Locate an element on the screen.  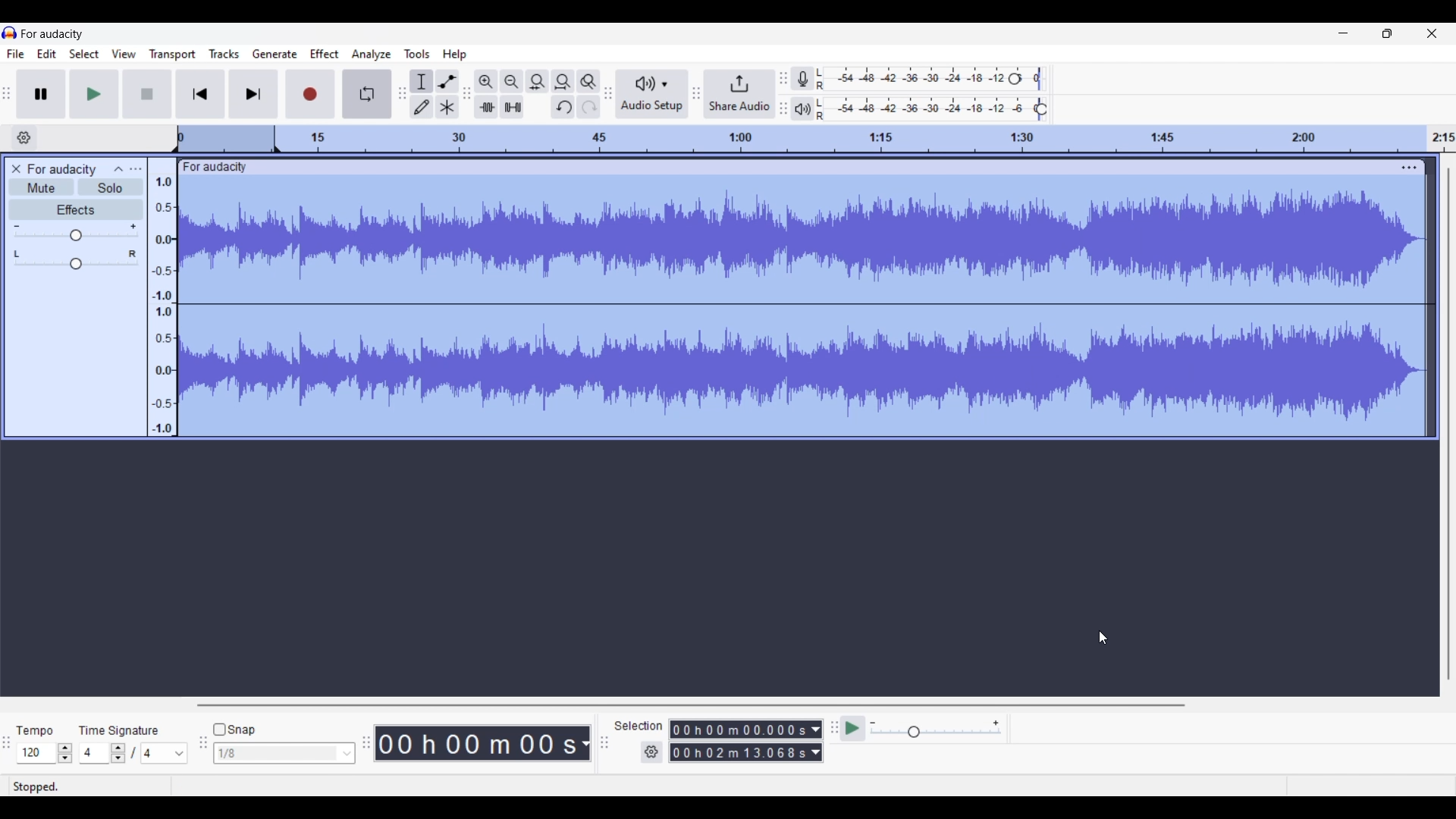
Min. playback speed is located at coordinates (874, 723).